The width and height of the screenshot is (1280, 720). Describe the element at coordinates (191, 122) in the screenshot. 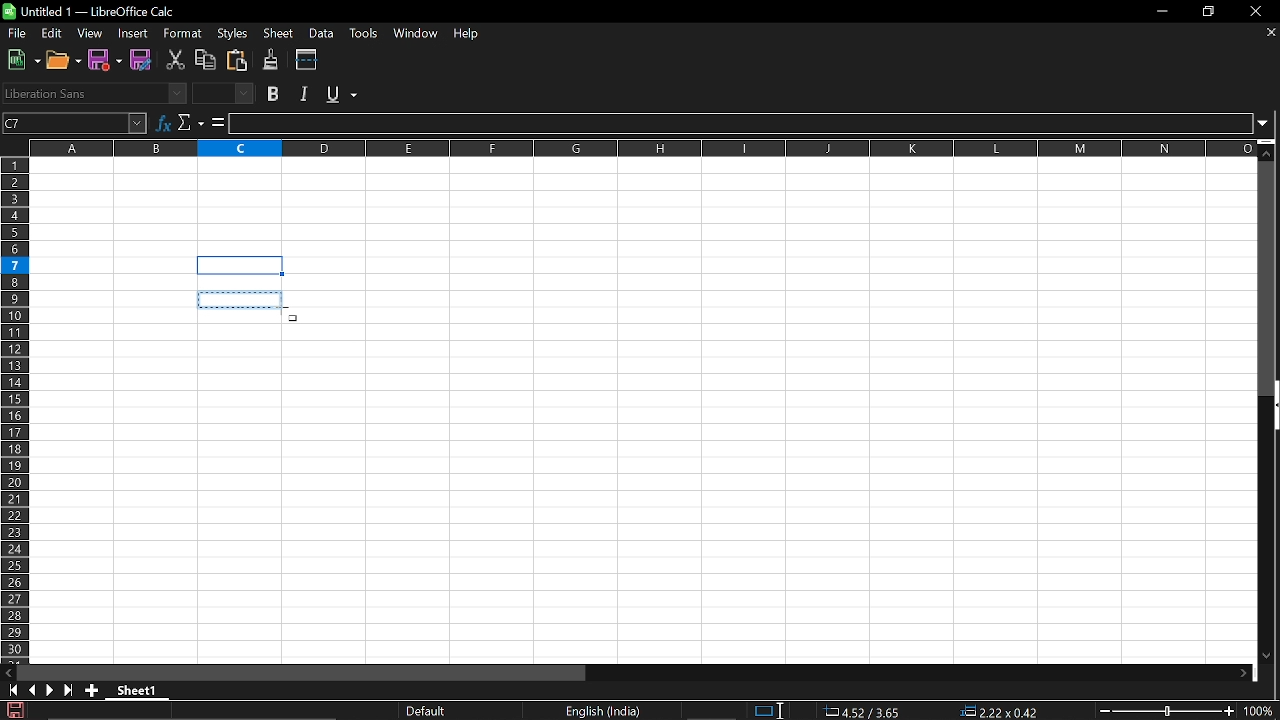

I see `Select function` at that location.